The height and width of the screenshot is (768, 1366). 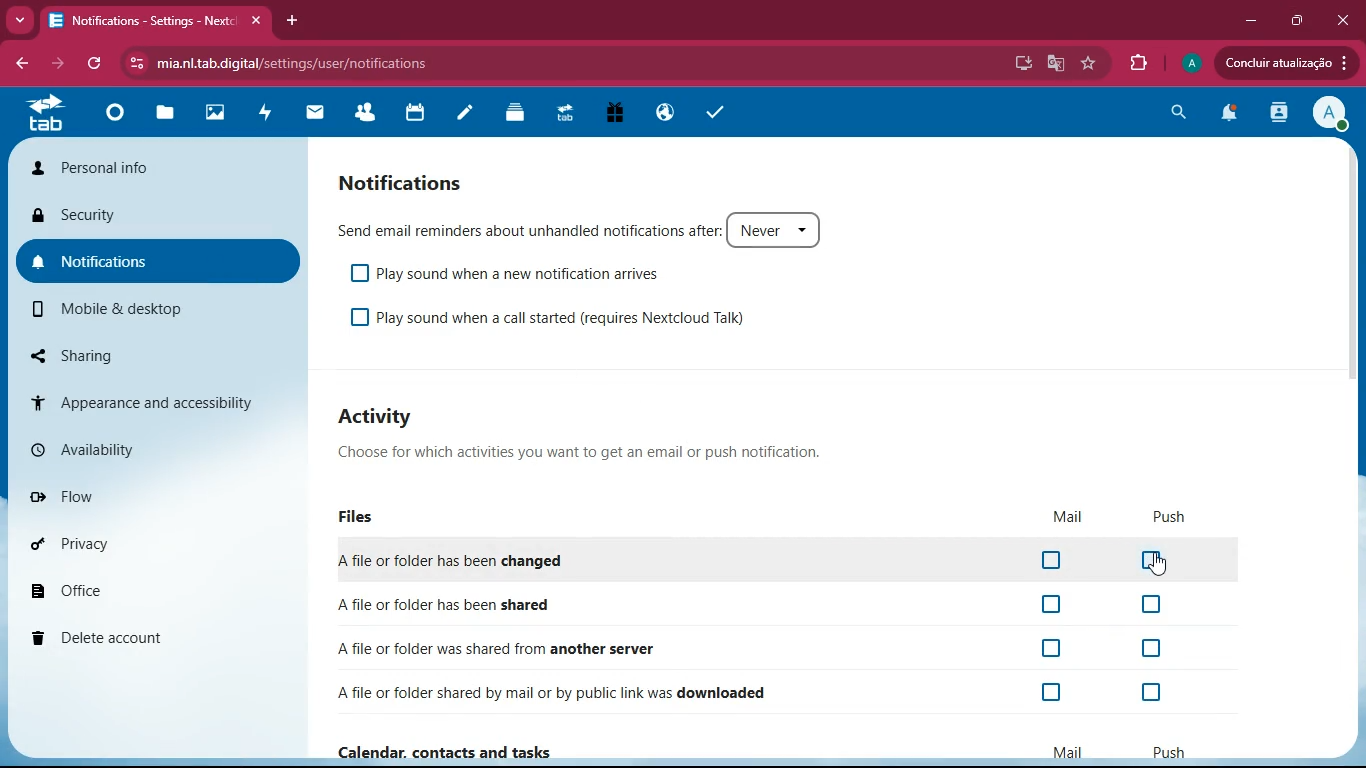 I want to click on minimize, so click(x=1250, y=19).